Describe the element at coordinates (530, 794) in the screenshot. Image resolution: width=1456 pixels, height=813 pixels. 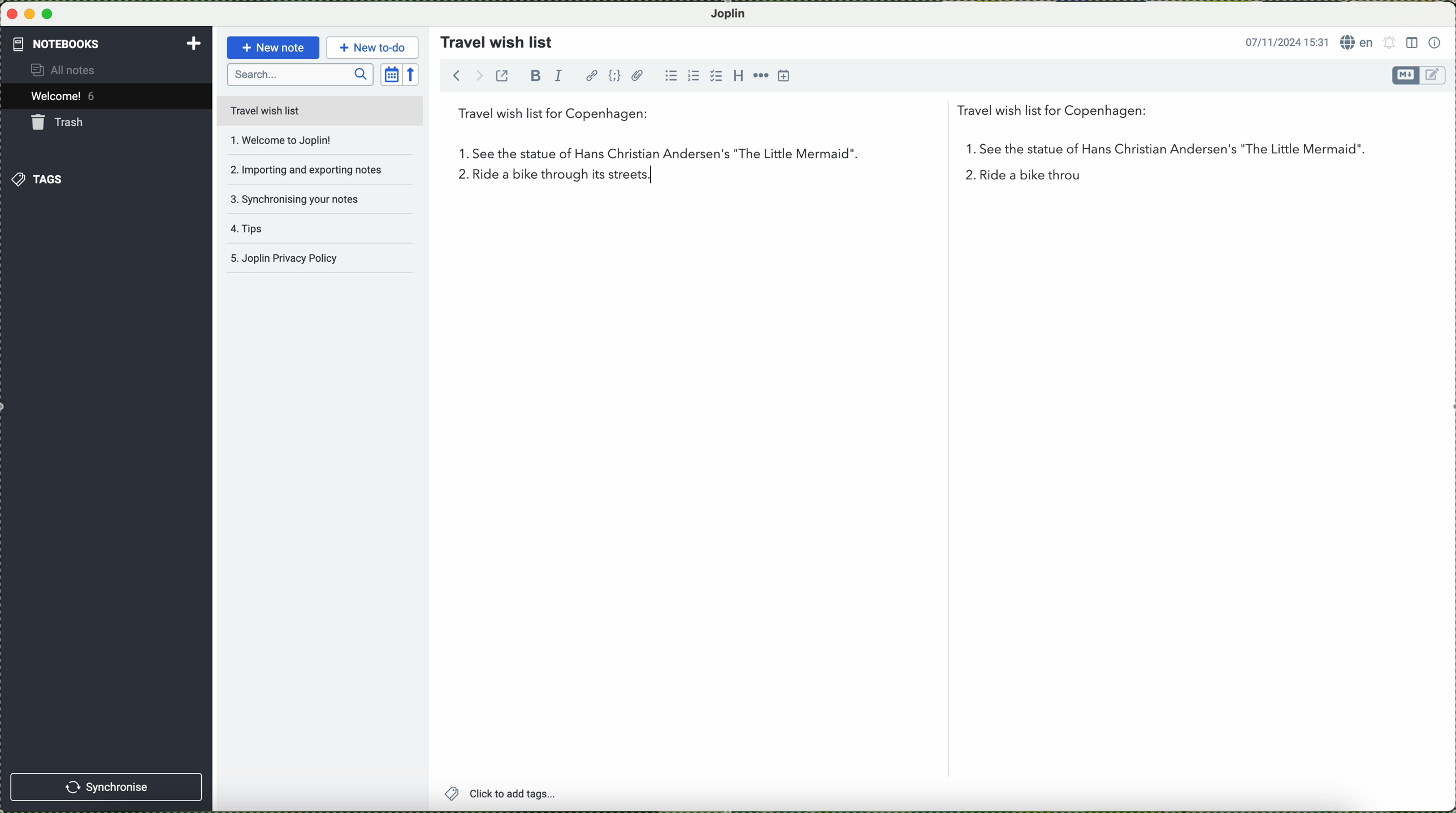
I see `click to add tags` at that location.